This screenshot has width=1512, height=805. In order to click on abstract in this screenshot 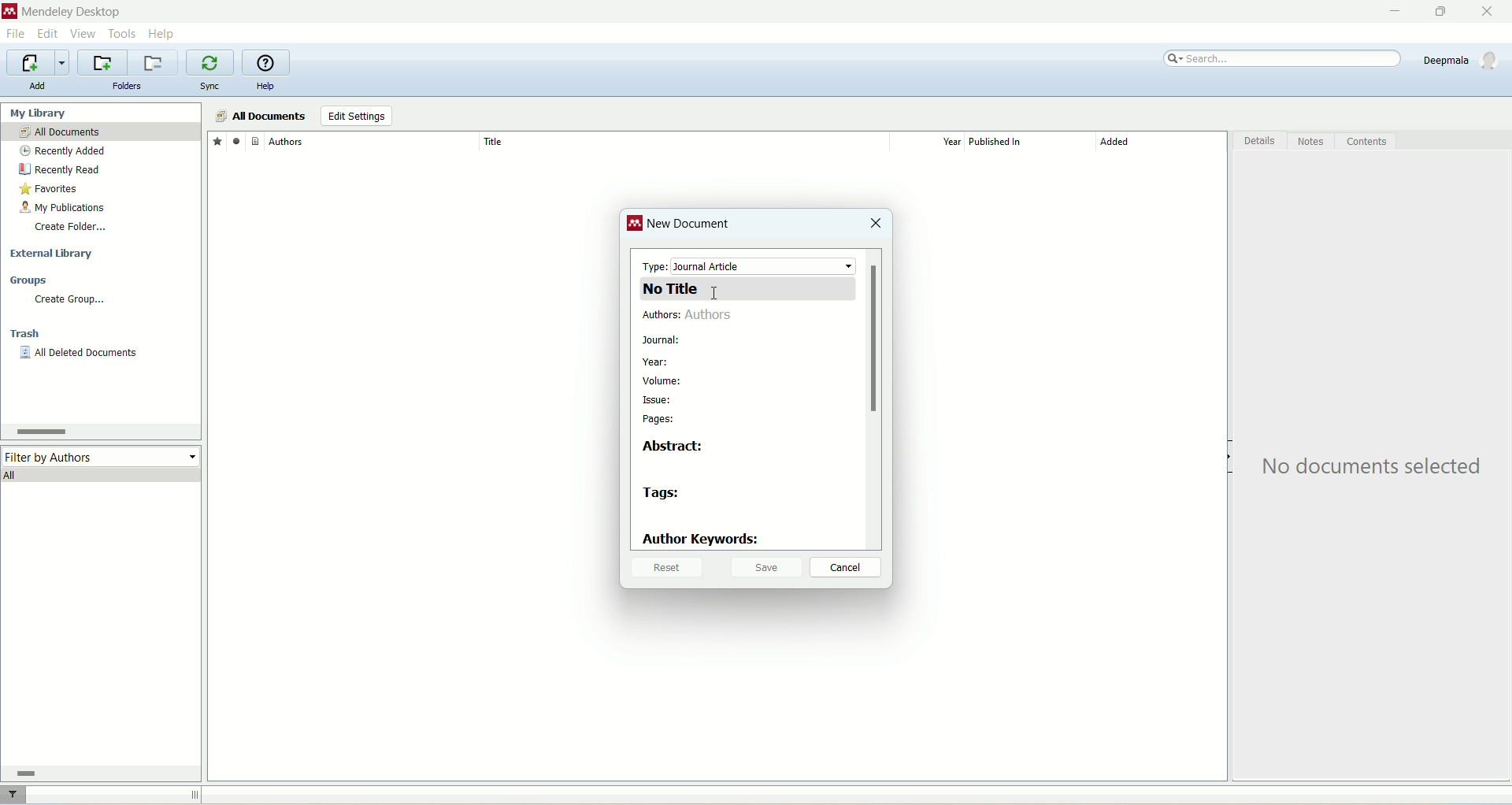, I will do `click(678, 446)`.